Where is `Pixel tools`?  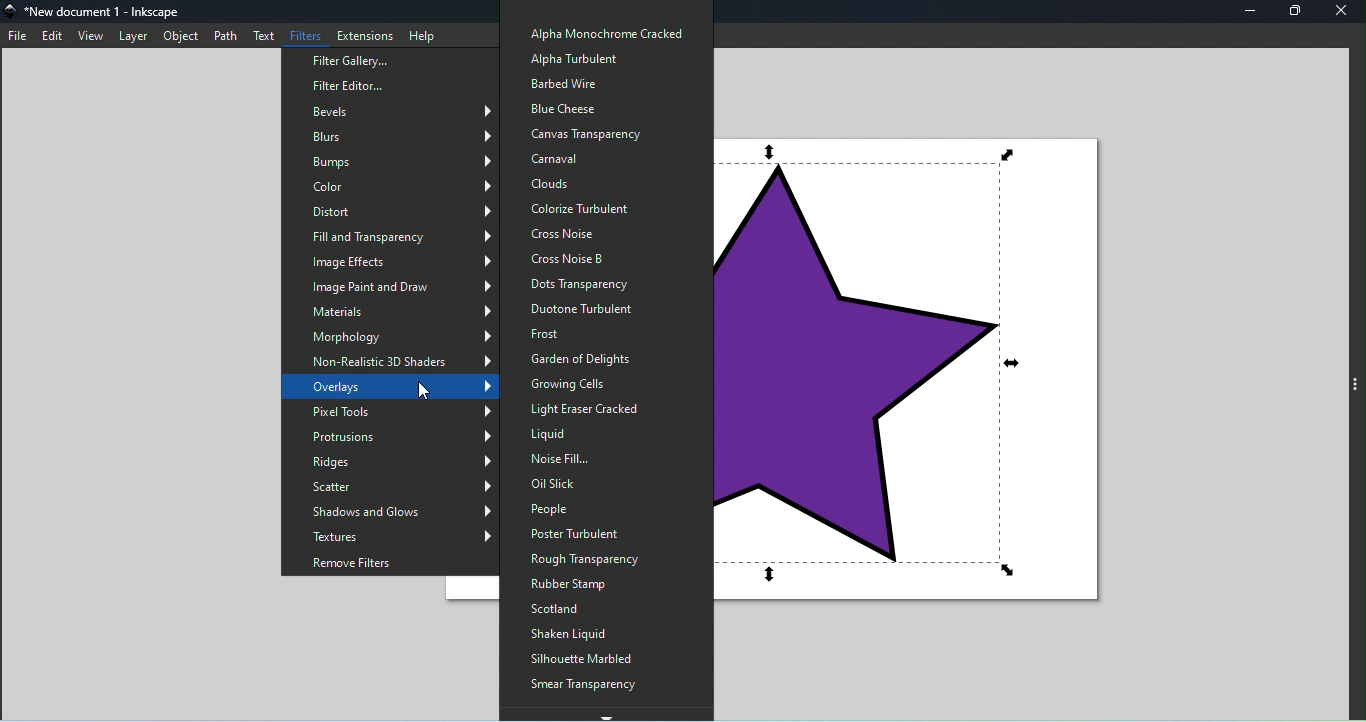
Pixel tools is located at coordinates (399, 414).